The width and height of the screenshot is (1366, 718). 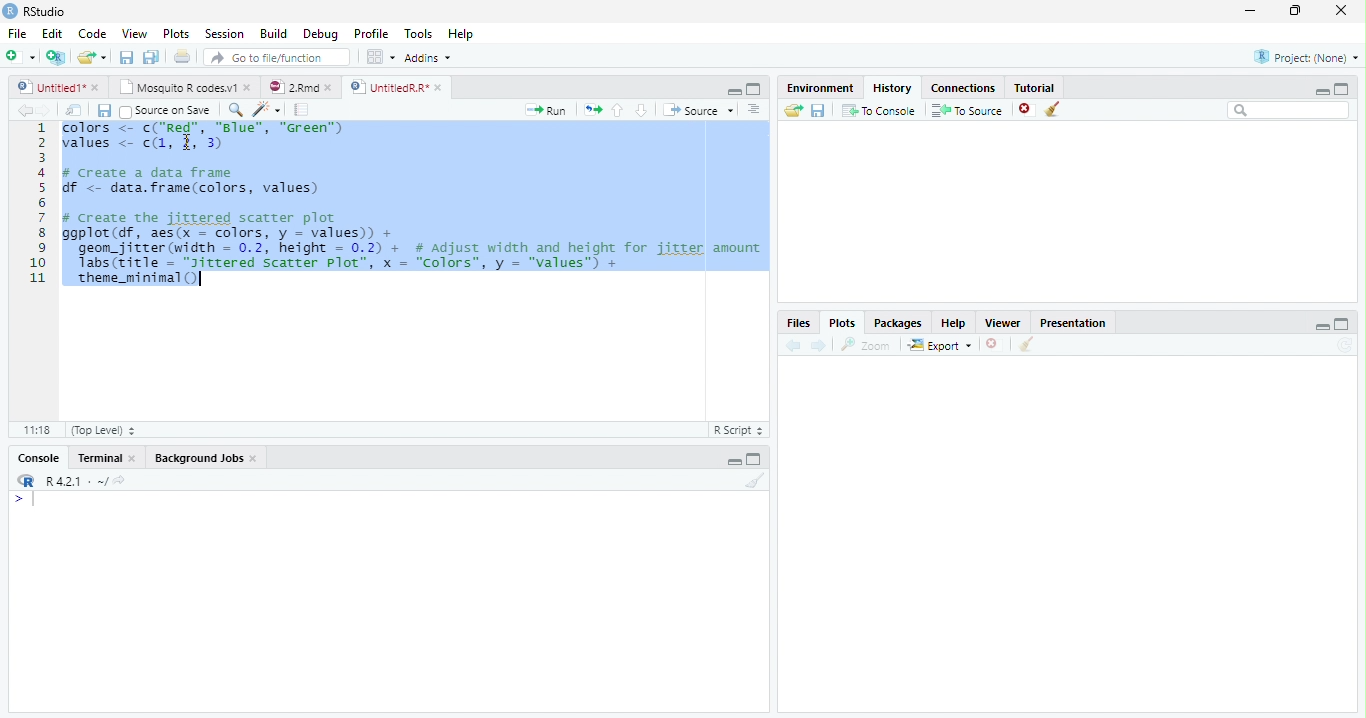 What do you see at coordinates (1321, 326) in the screenshot?
I see `Minimize` at bounding box center [1321, 326].